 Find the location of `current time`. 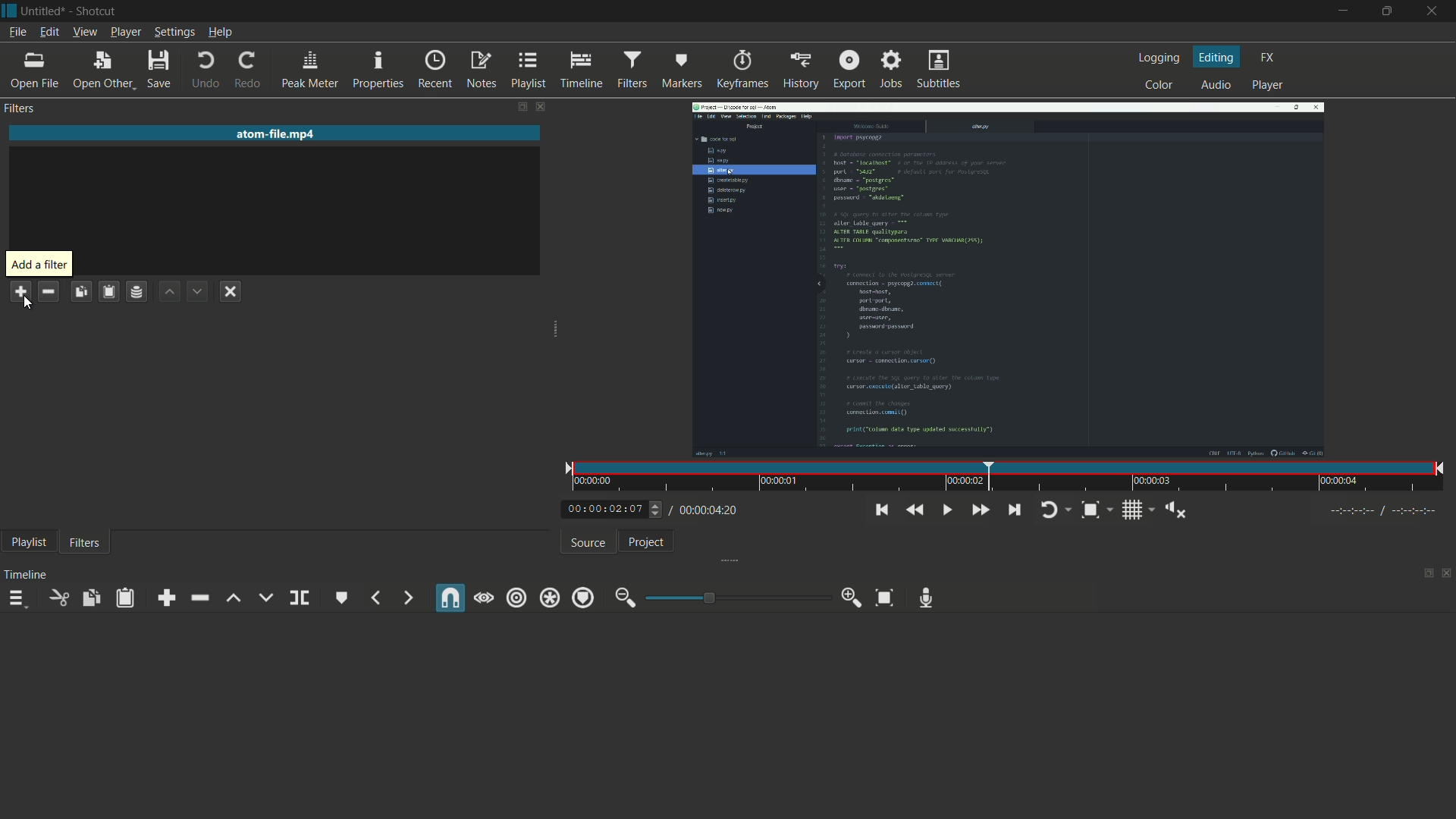

current time is located at coordinates (604, 507).